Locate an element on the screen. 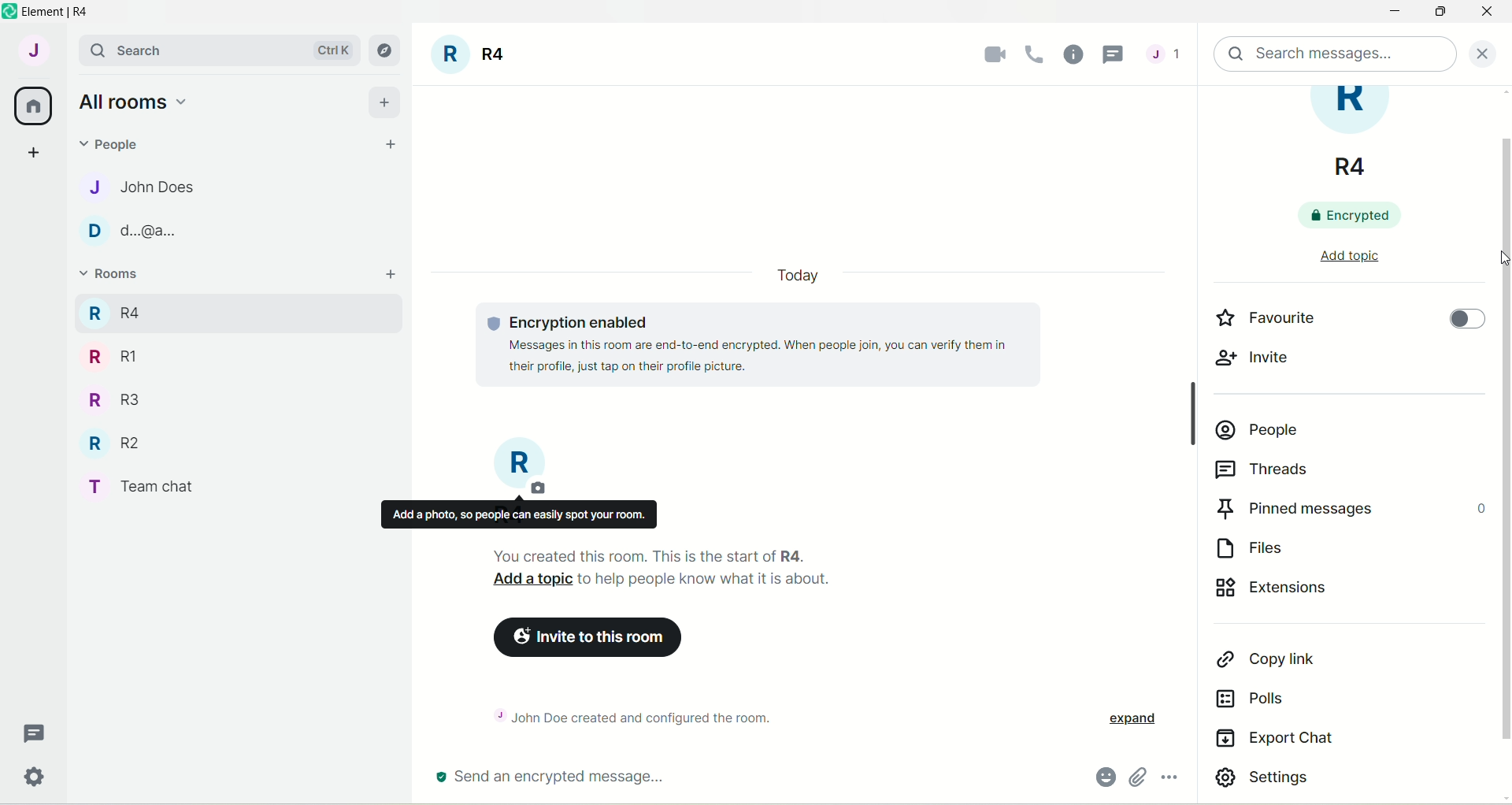 Image resolution: width=1512 pixels, height=805 pixels. Ctrl K is located at coordinates (330, 50).